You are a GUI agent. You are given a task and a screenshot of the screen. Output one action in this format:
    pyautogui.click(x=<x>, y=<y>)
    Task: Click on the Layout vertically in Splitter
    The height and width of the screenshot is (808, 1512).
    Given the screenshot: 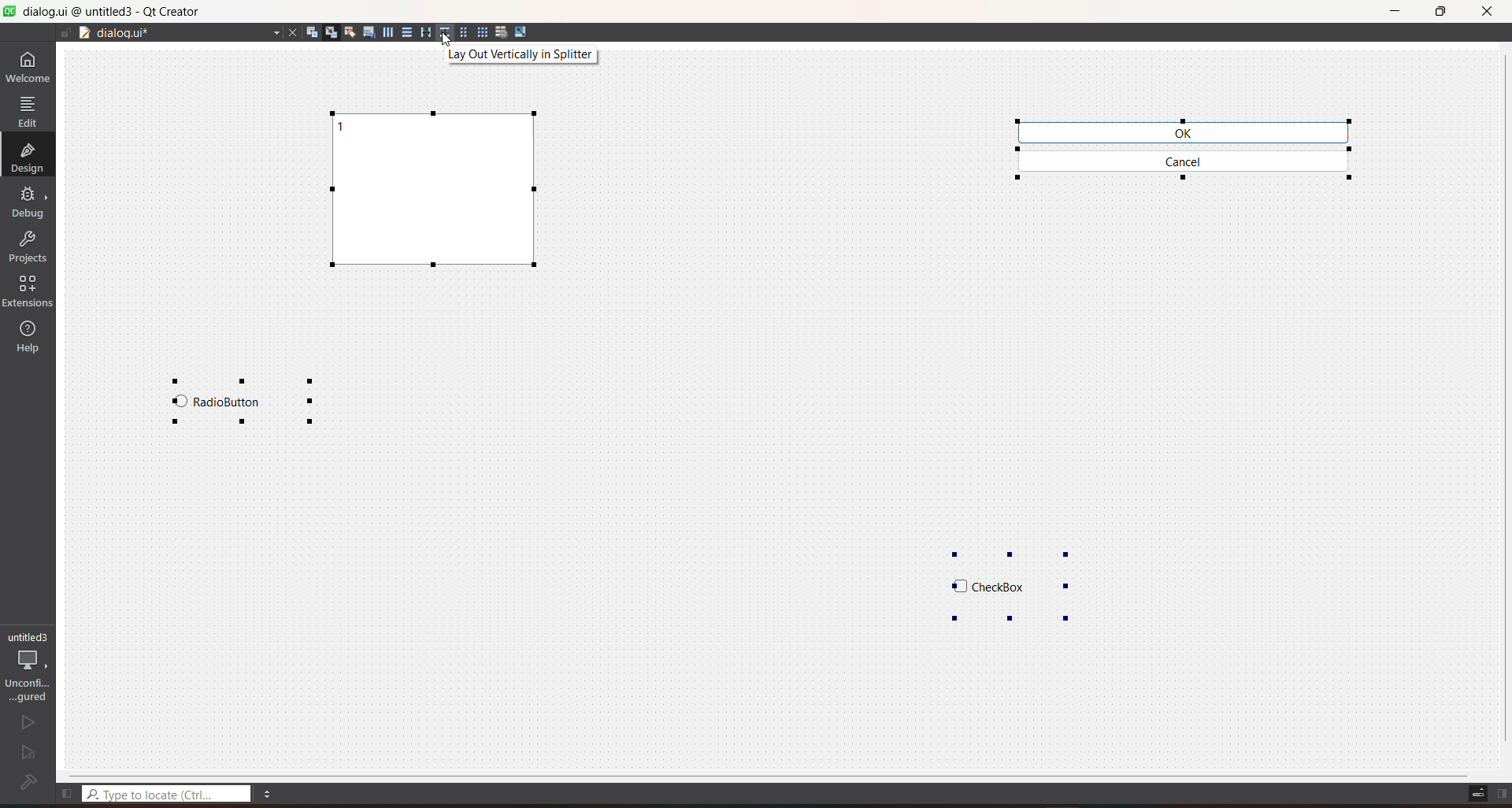 What is the action you would take?
    pyautogui.click(x=524, y=56)
    